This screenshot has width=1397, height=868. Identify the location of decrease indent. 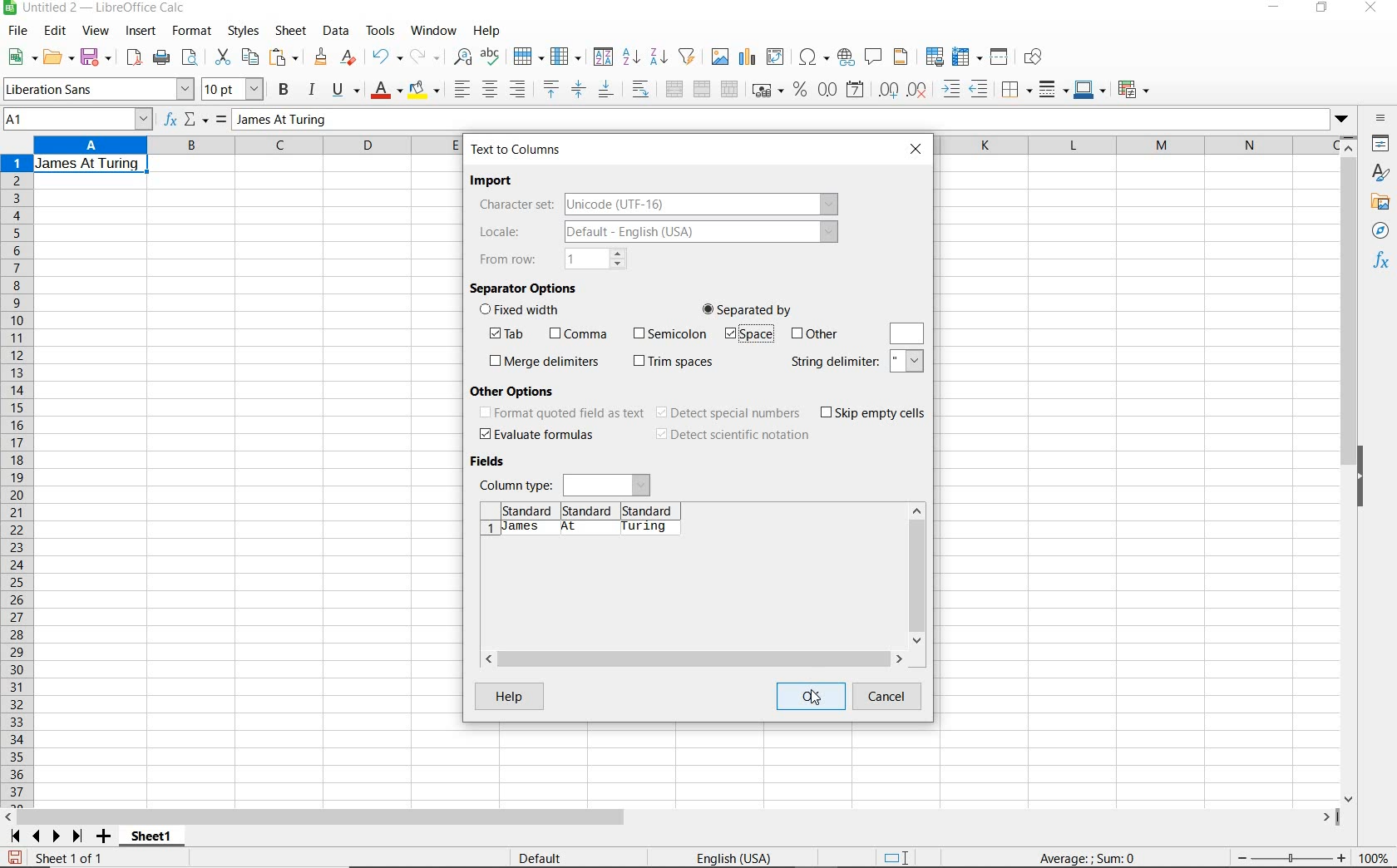
(981, 89).